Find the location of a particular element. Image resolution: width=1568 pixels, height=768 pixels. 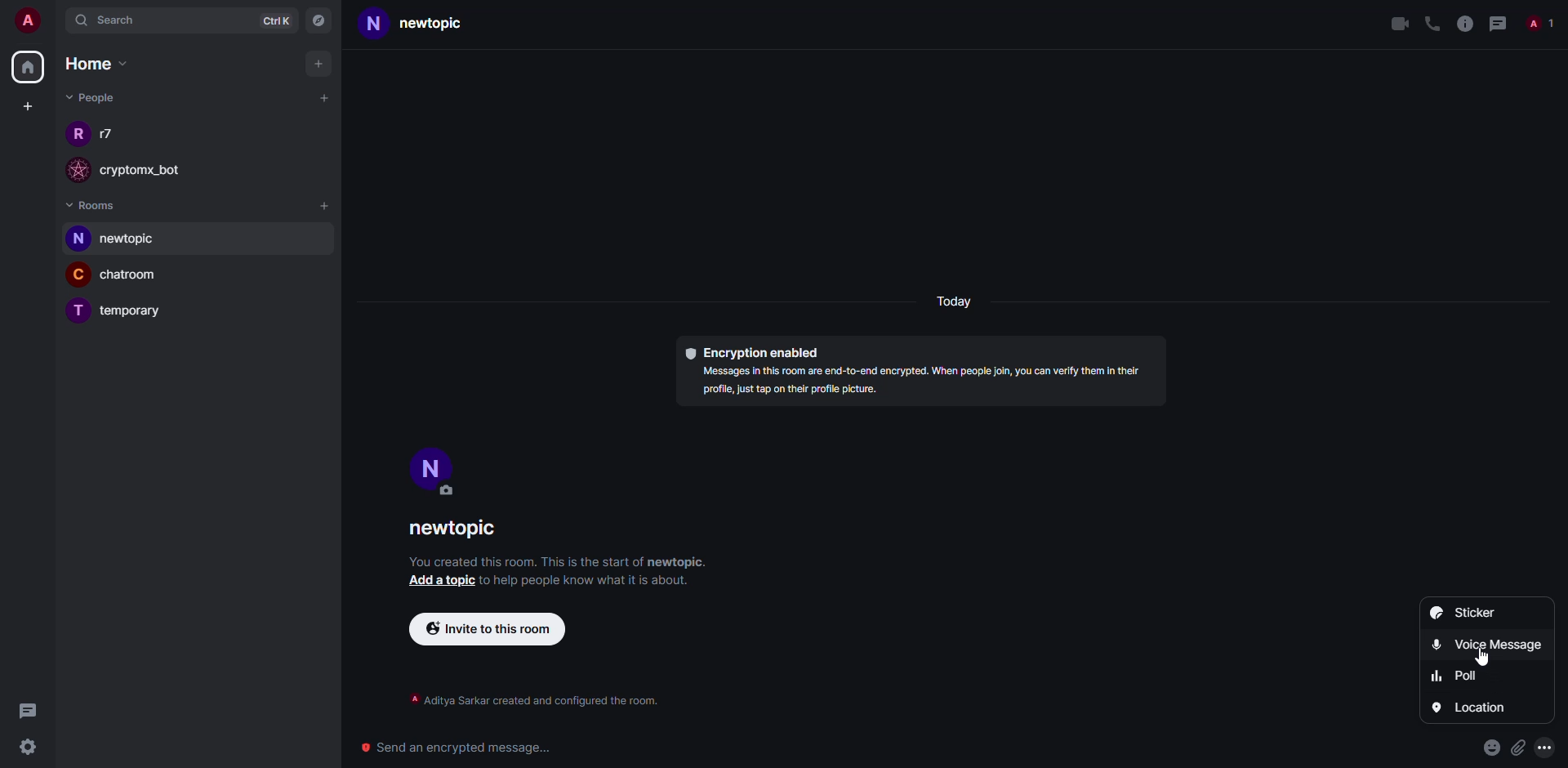

voice message is located at coordinates (1489, 644).